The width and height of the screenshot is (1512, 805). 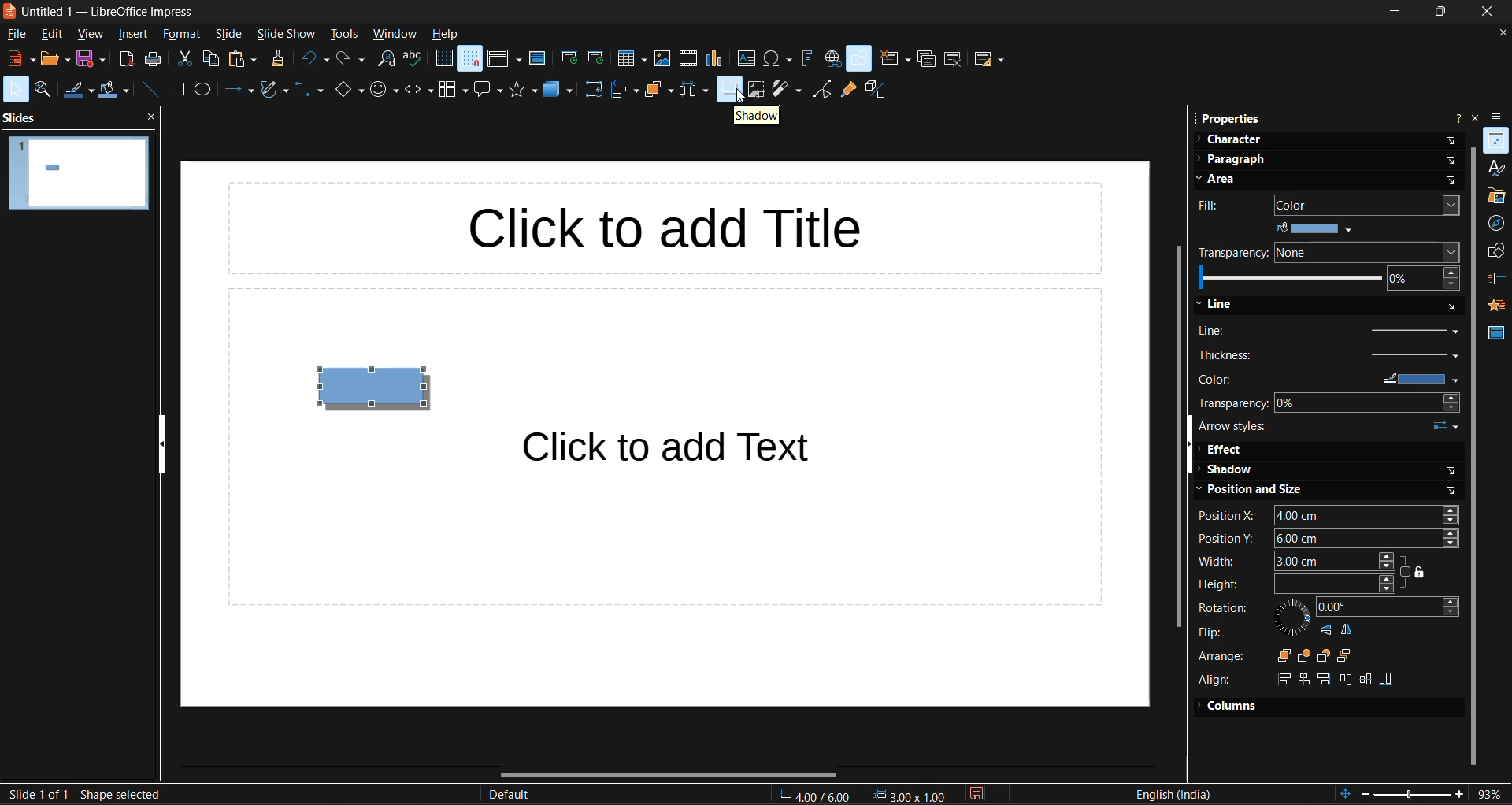 I want to click on navigator, so click(x=1497, y=223).